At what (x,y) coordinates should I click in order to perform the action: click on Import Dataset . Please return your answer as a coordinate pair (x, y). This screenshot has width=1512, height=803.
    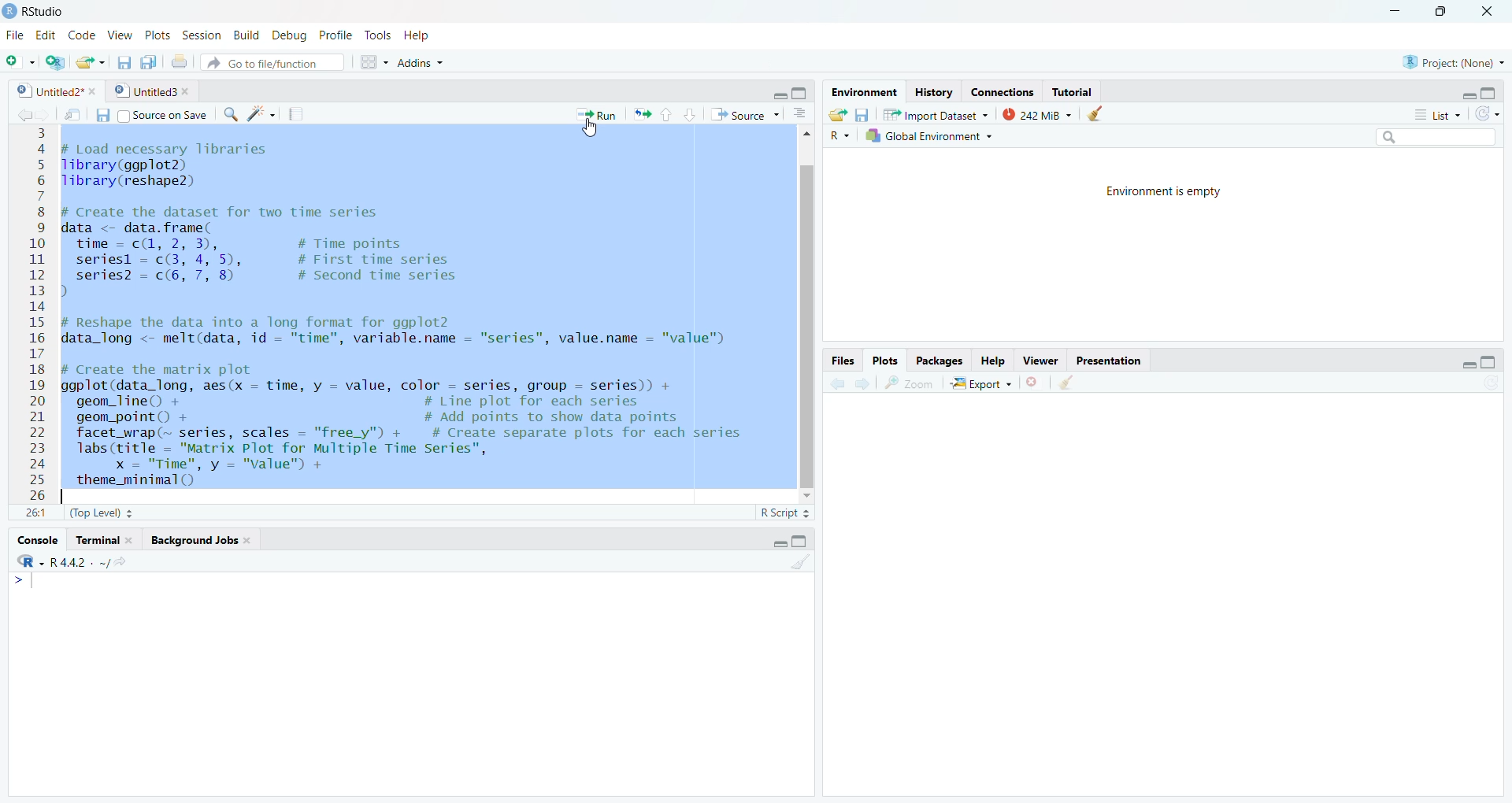
    Looking at the image, I should click on (936, 113).